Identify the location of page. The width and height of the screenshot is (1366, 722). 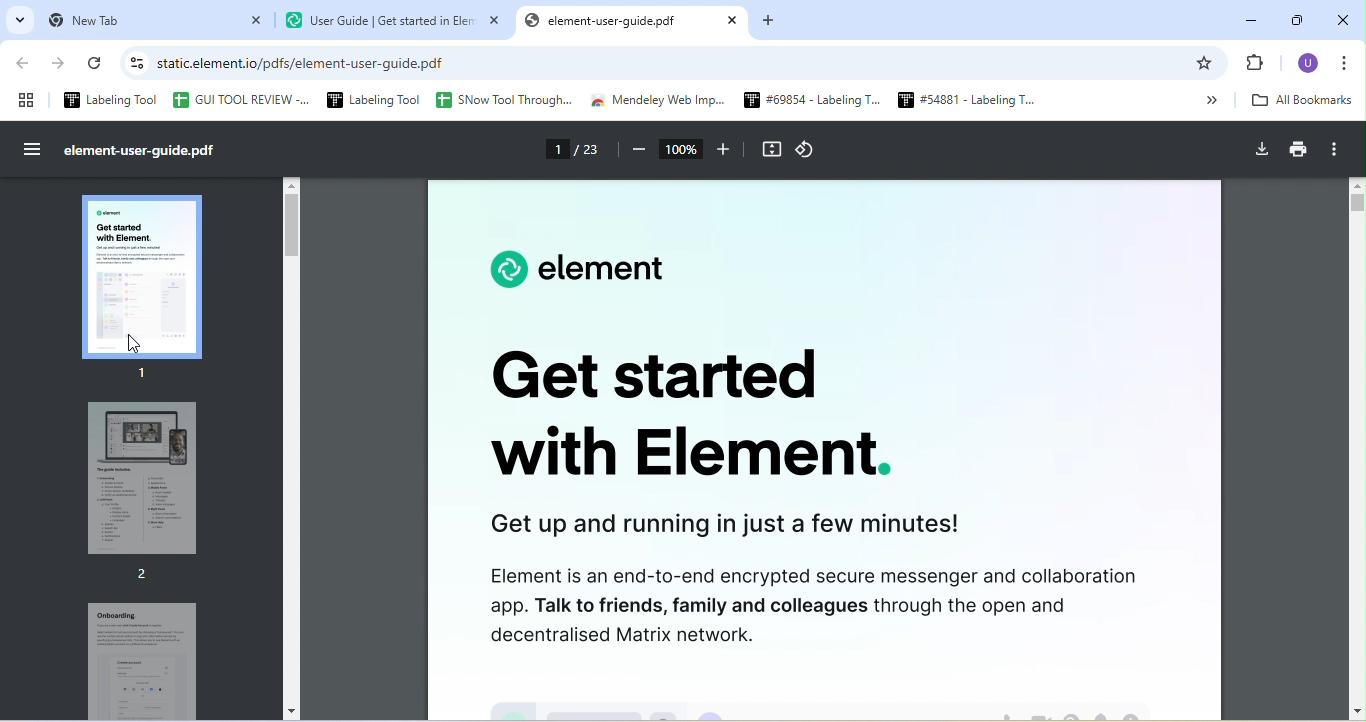
(577, 153).